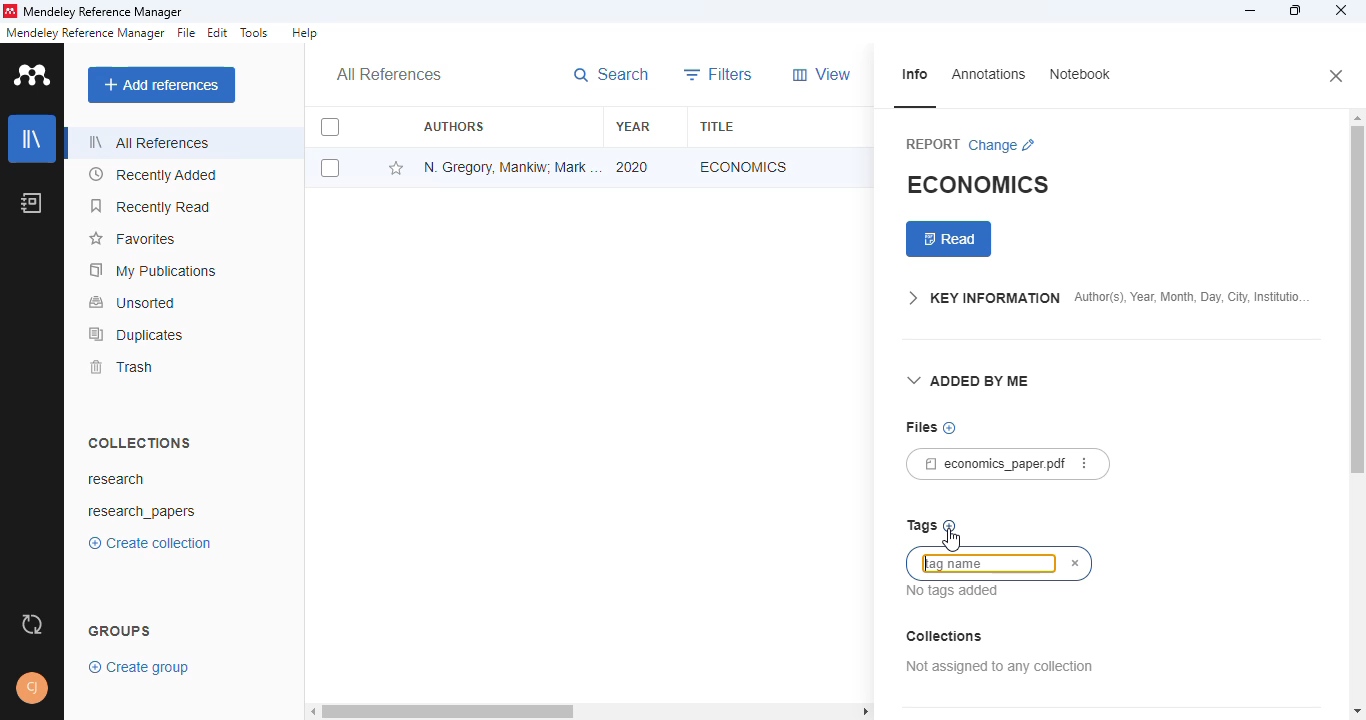 This screenshot has width=1366, height=720. I want to click on sync, so click(32, 623).